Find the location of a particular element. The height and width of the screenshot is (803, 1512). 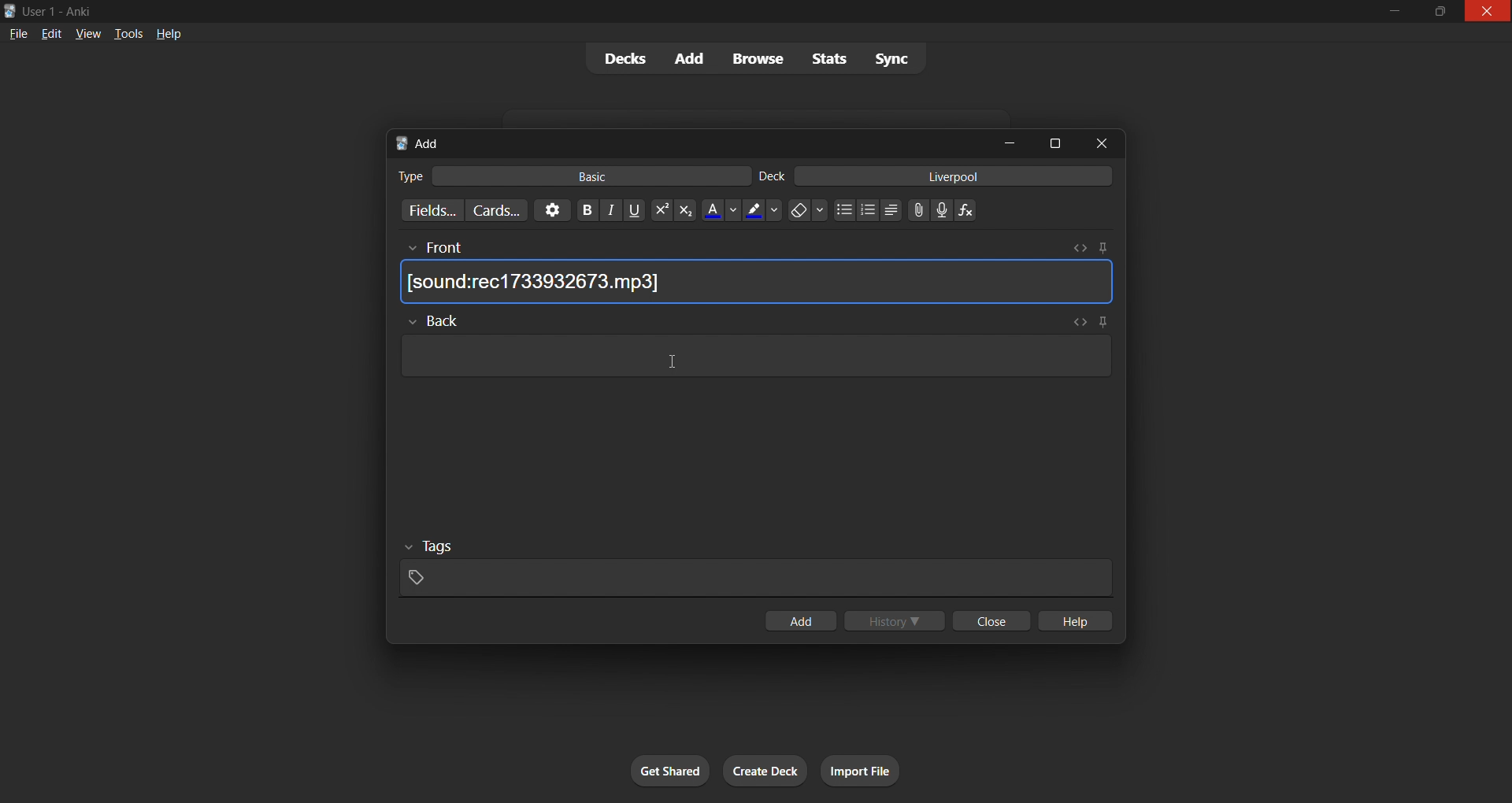

close is located at coordinates (1095, 144).